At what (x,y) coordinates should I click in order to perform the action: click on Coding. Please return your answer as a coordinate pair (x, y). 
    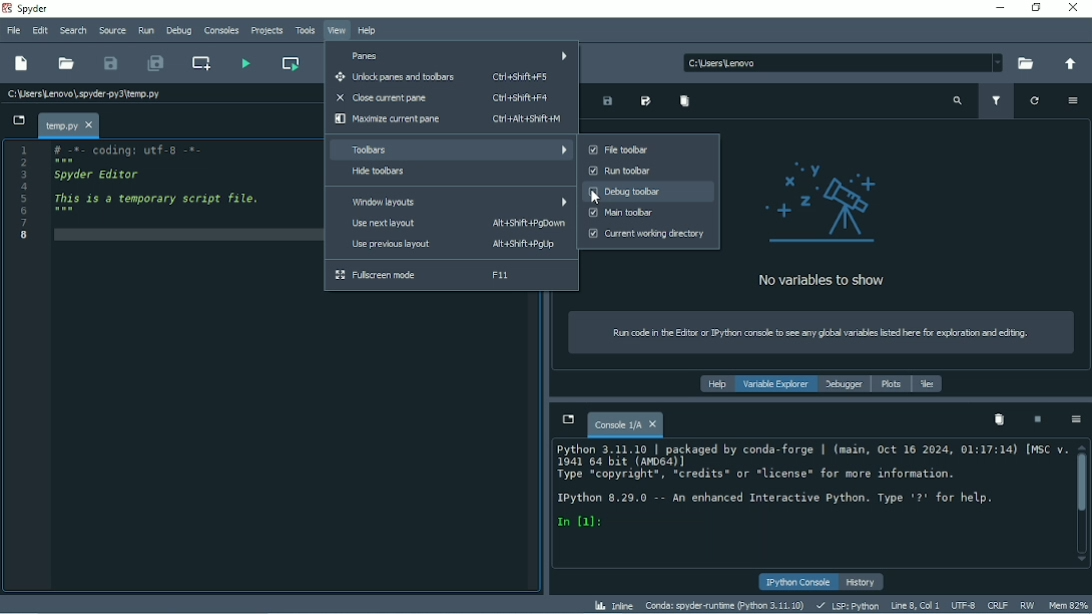
    Looking at the image, I should click on (123, 150).